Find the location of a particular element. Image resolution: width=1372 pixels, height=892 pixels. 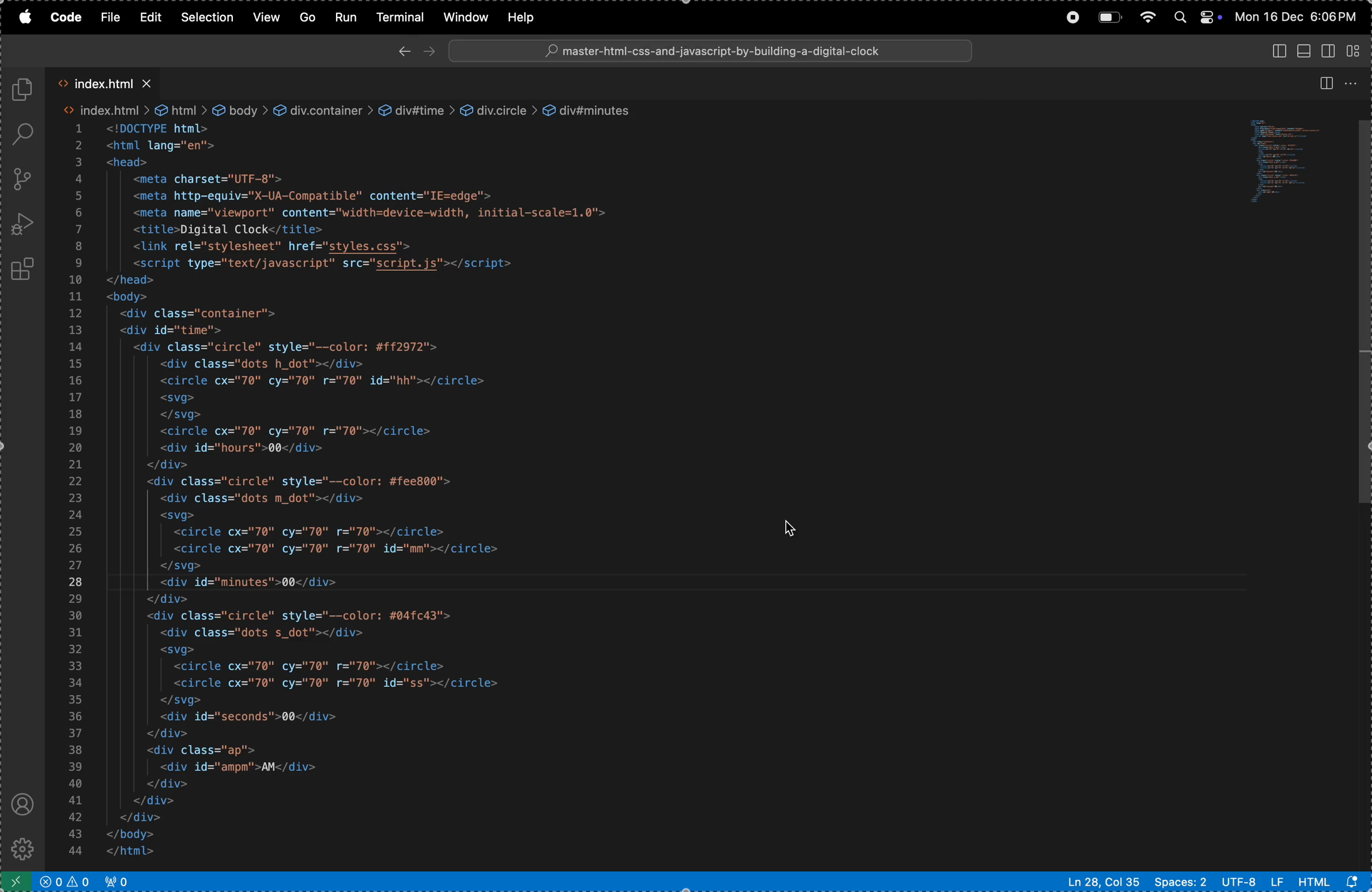

run debug is located at coordinates (24, 225).